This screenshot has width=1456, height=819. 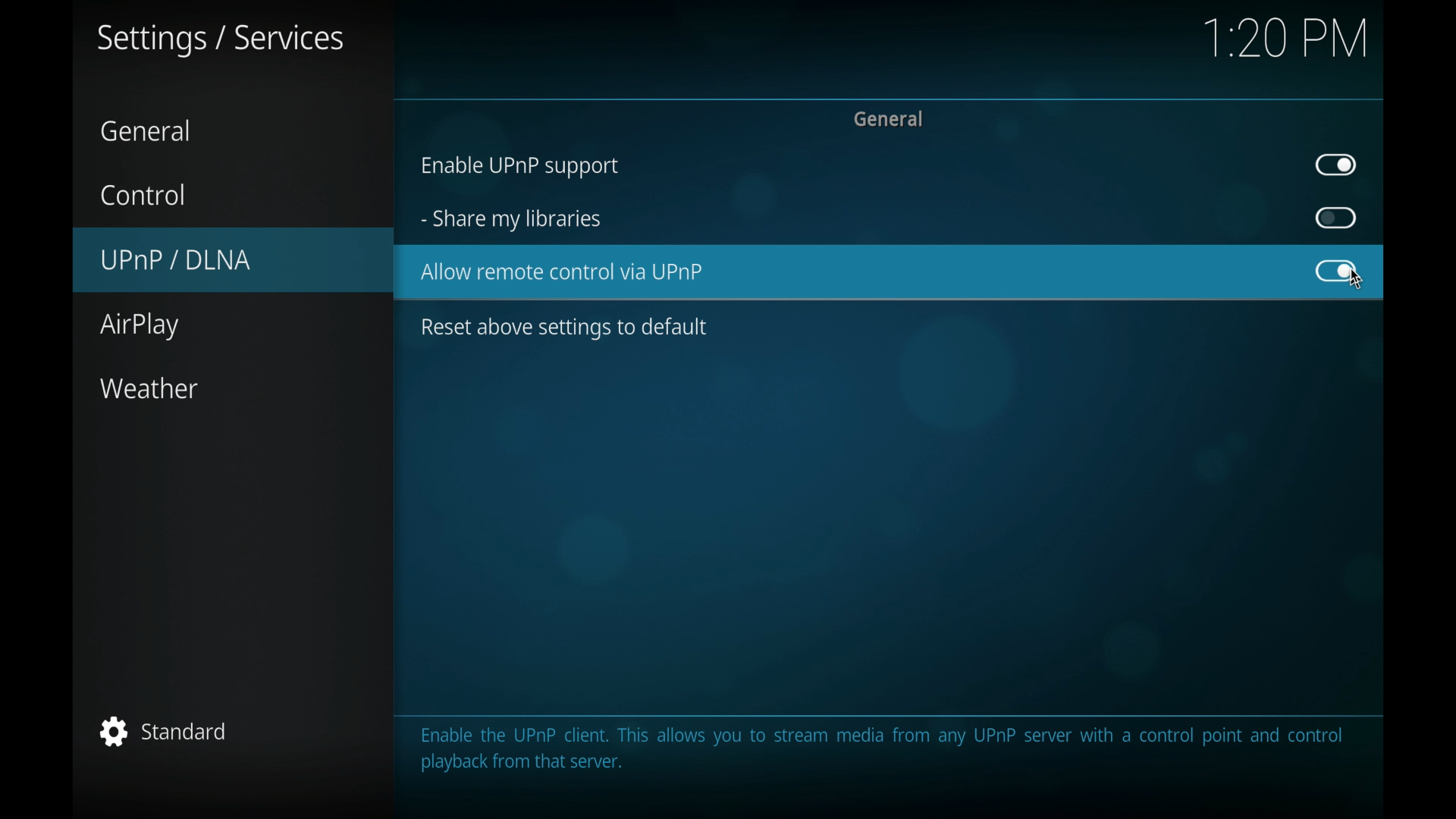 I want to click on weather, so click(x=149, y=389).